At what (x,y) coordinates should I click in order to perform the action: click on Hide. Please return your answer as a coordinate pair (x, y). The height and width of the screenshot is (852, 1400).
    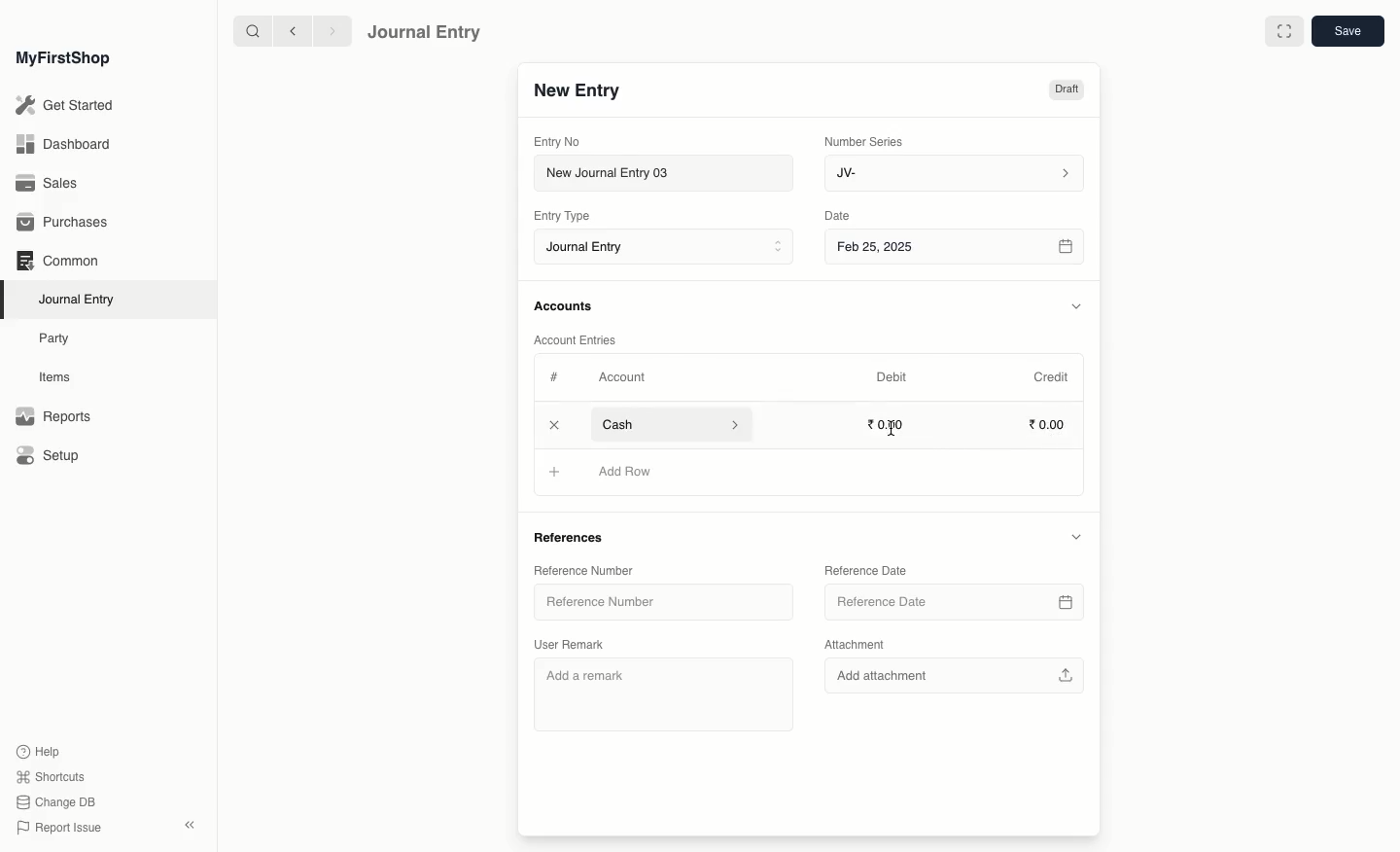
    Looking at the image, I should click on (1075, 537).